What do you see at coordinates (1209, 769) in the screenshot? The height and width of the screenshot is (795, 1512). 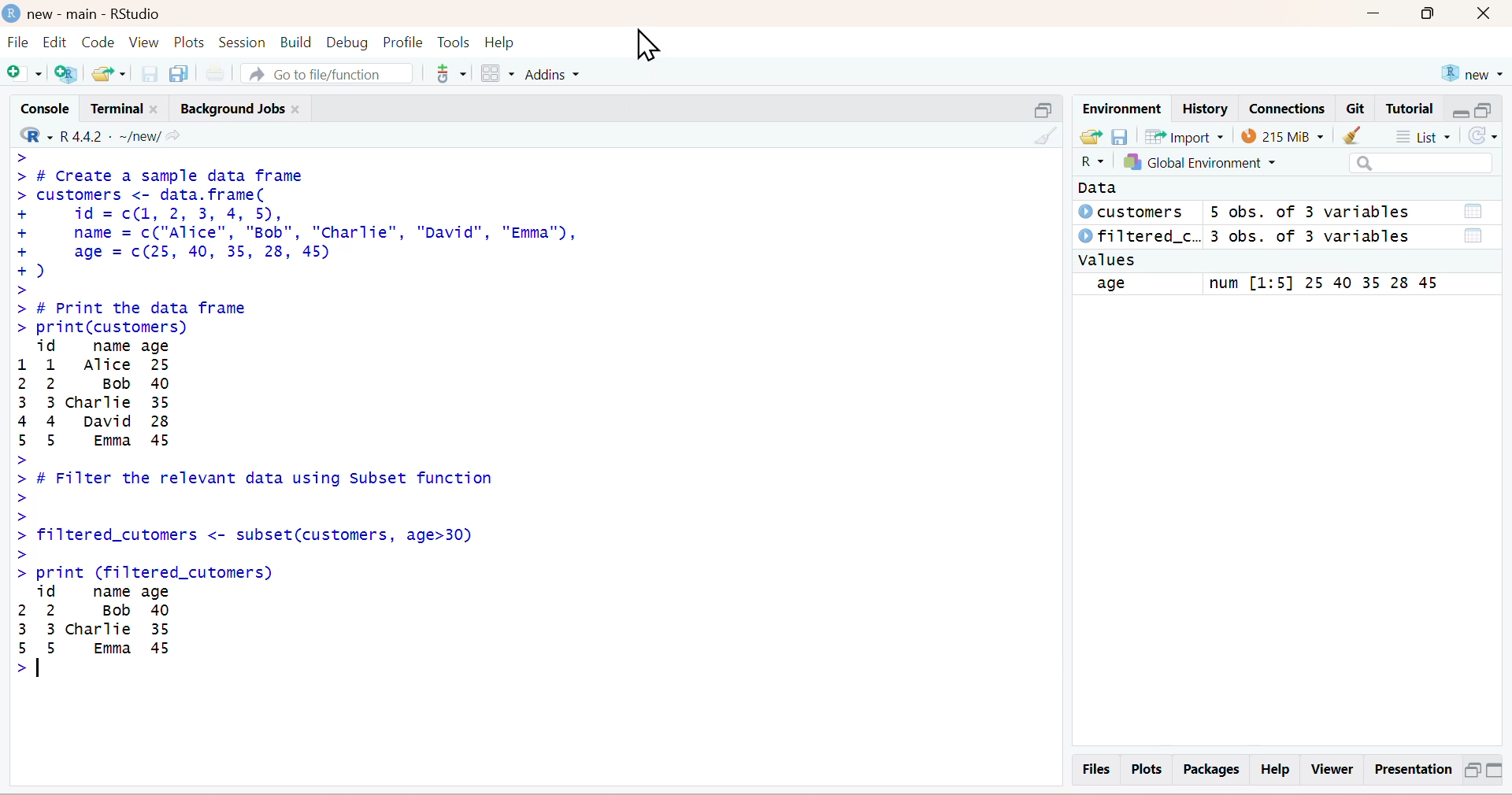 I see `Packages` at bounding box center [1209, 769].